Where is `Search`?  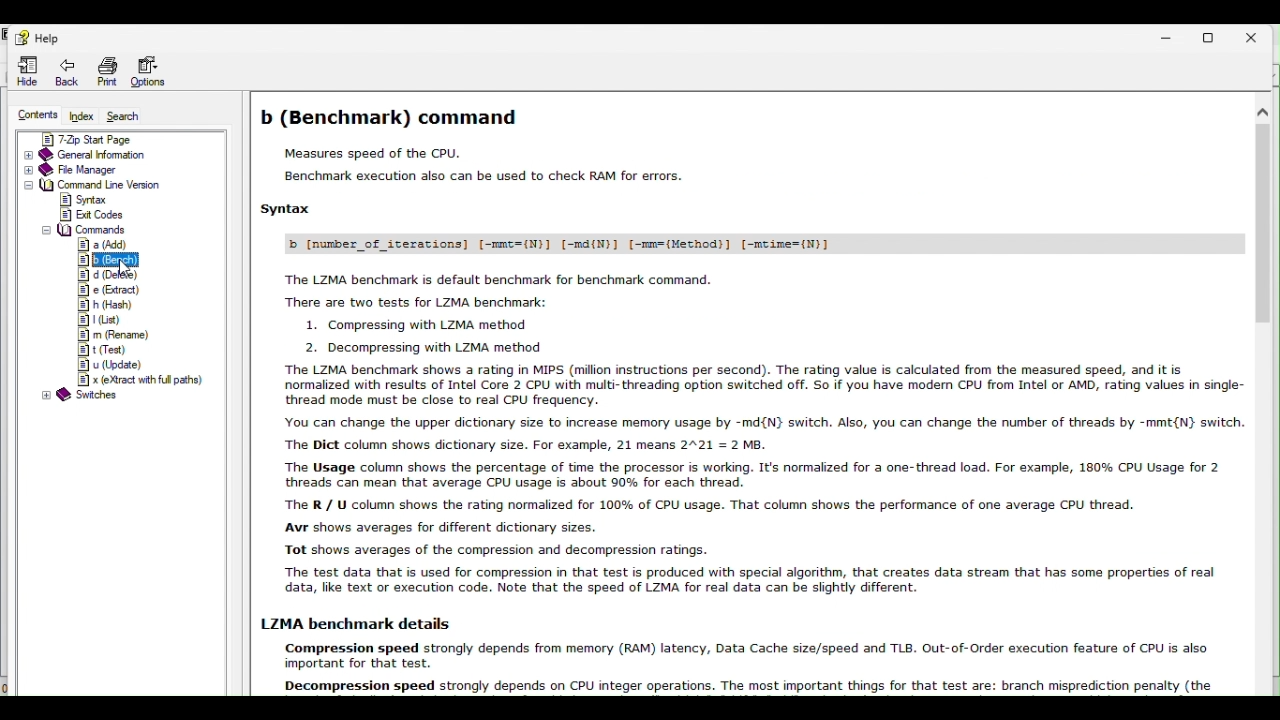
Search is located at coordinates (123, 117).